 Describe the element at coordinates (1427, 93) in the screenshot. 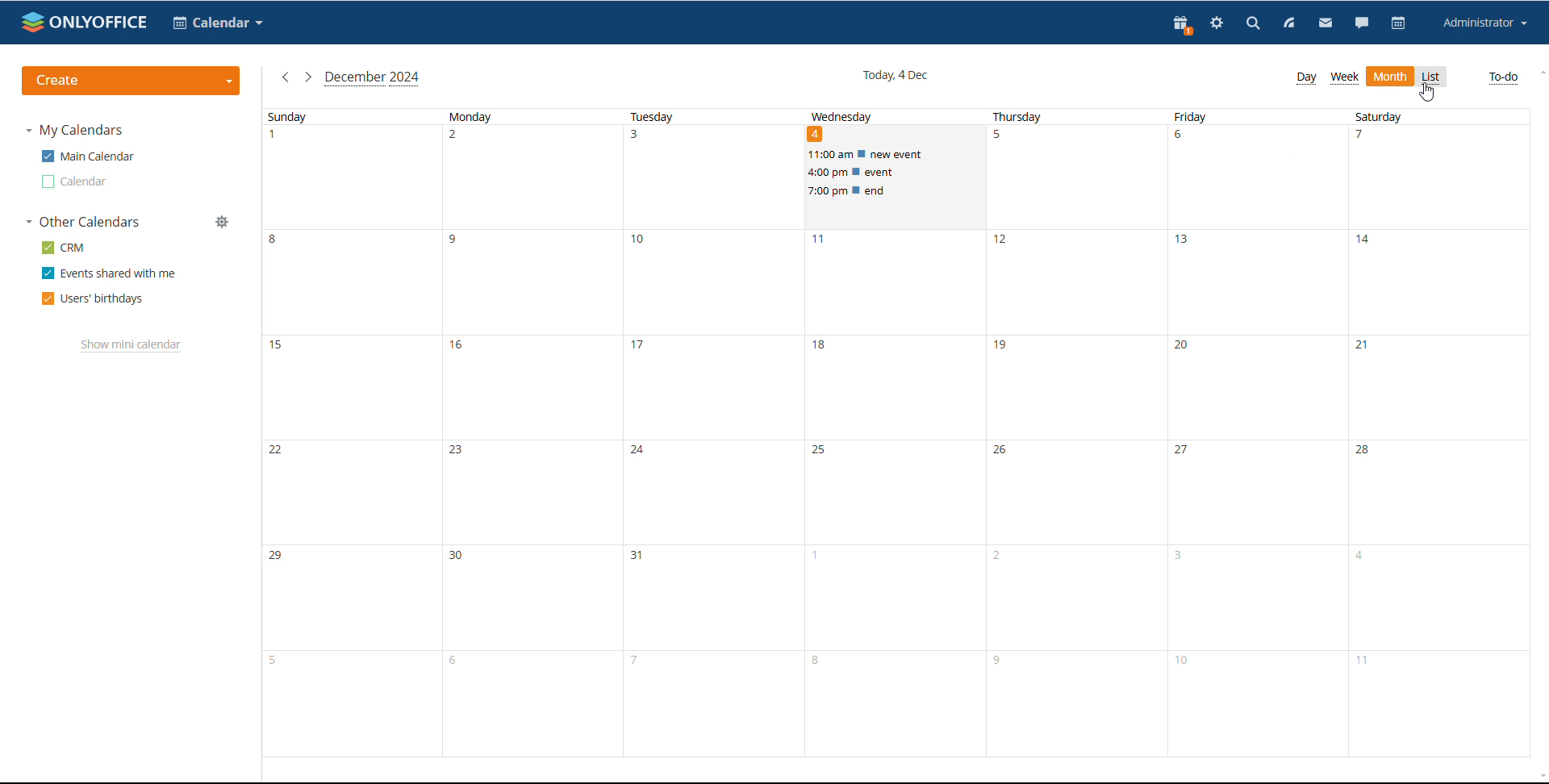

I see `cursor` at that location.